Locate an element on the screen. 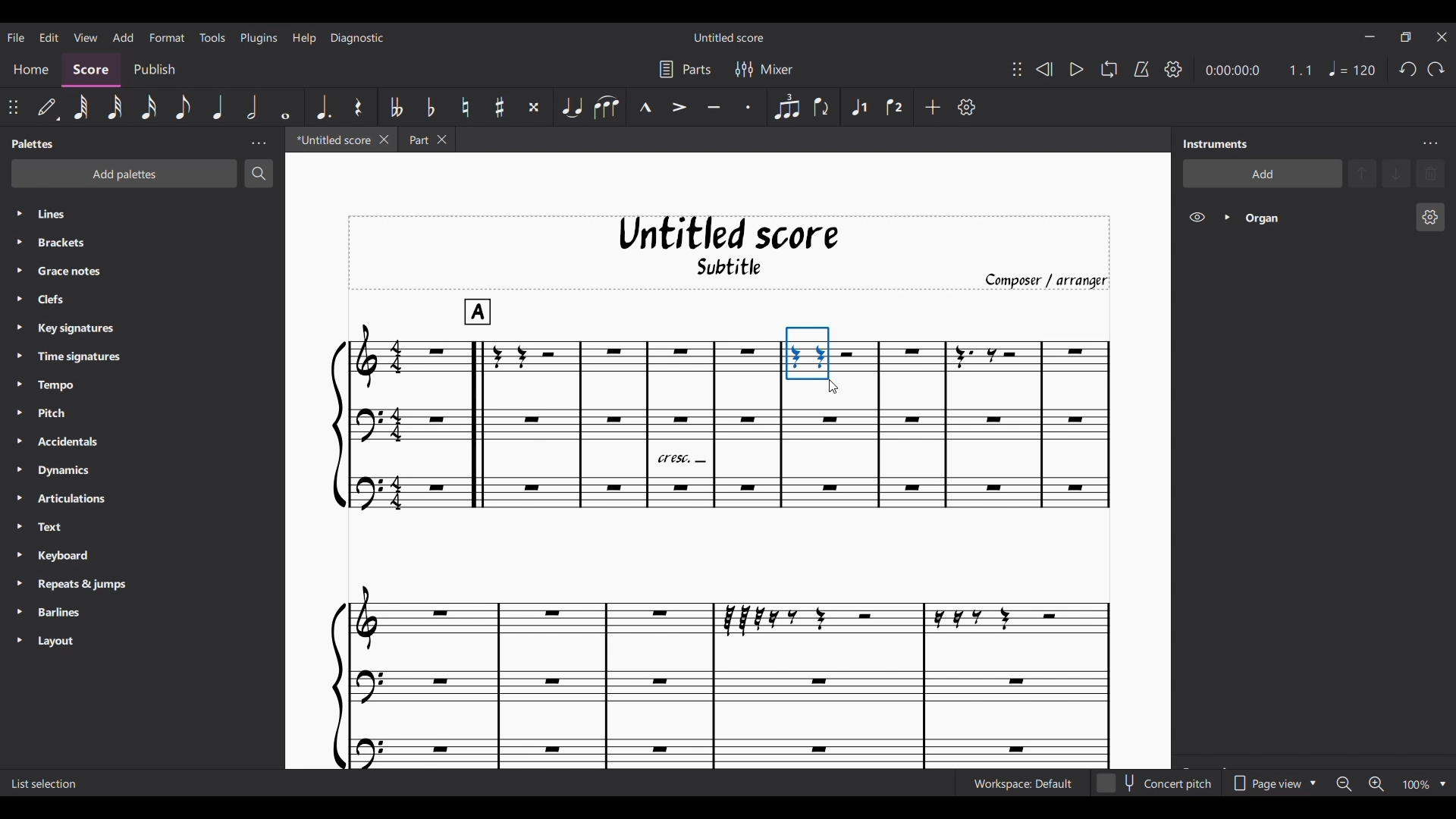 This screenshot has height=819, width=1456. Panel title is located at coordinates (34, 143).